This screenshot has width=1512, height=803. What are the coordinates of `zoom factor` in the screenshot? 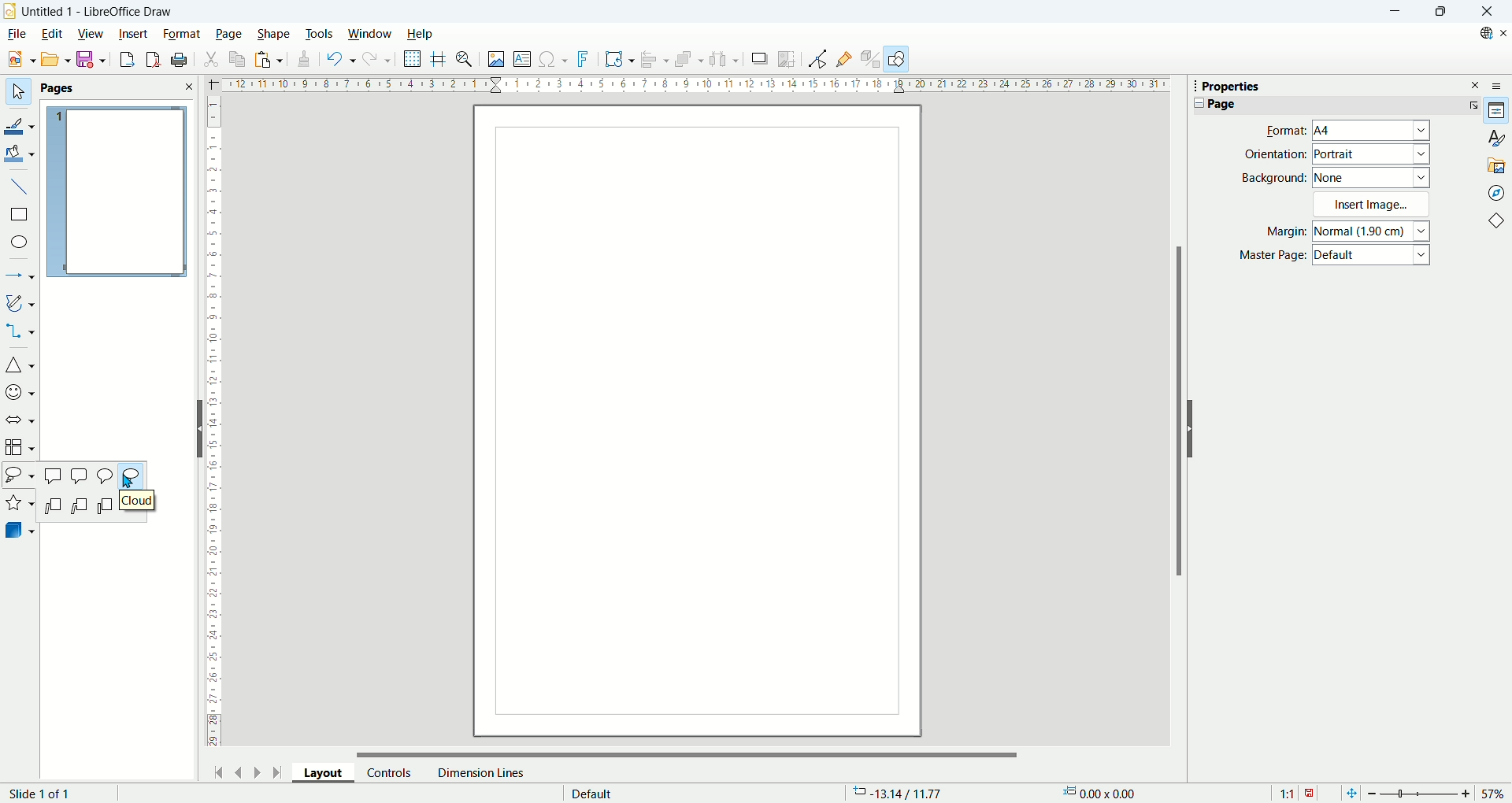 It's located at (1436, 792).